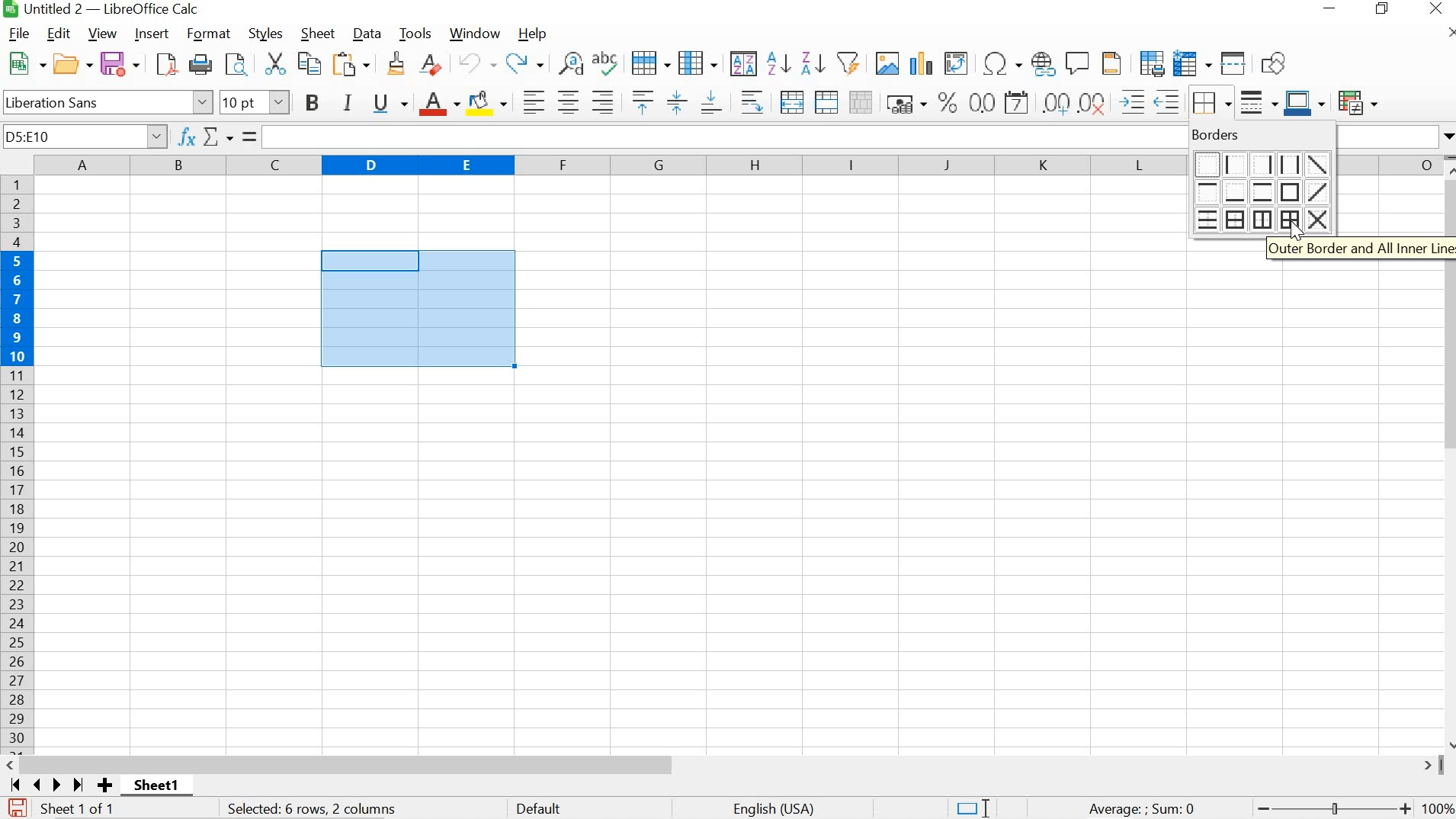  What do you see at coordinates (886, 61) in the screenshot?
I see `insert image` at bounding box center [886, 61].